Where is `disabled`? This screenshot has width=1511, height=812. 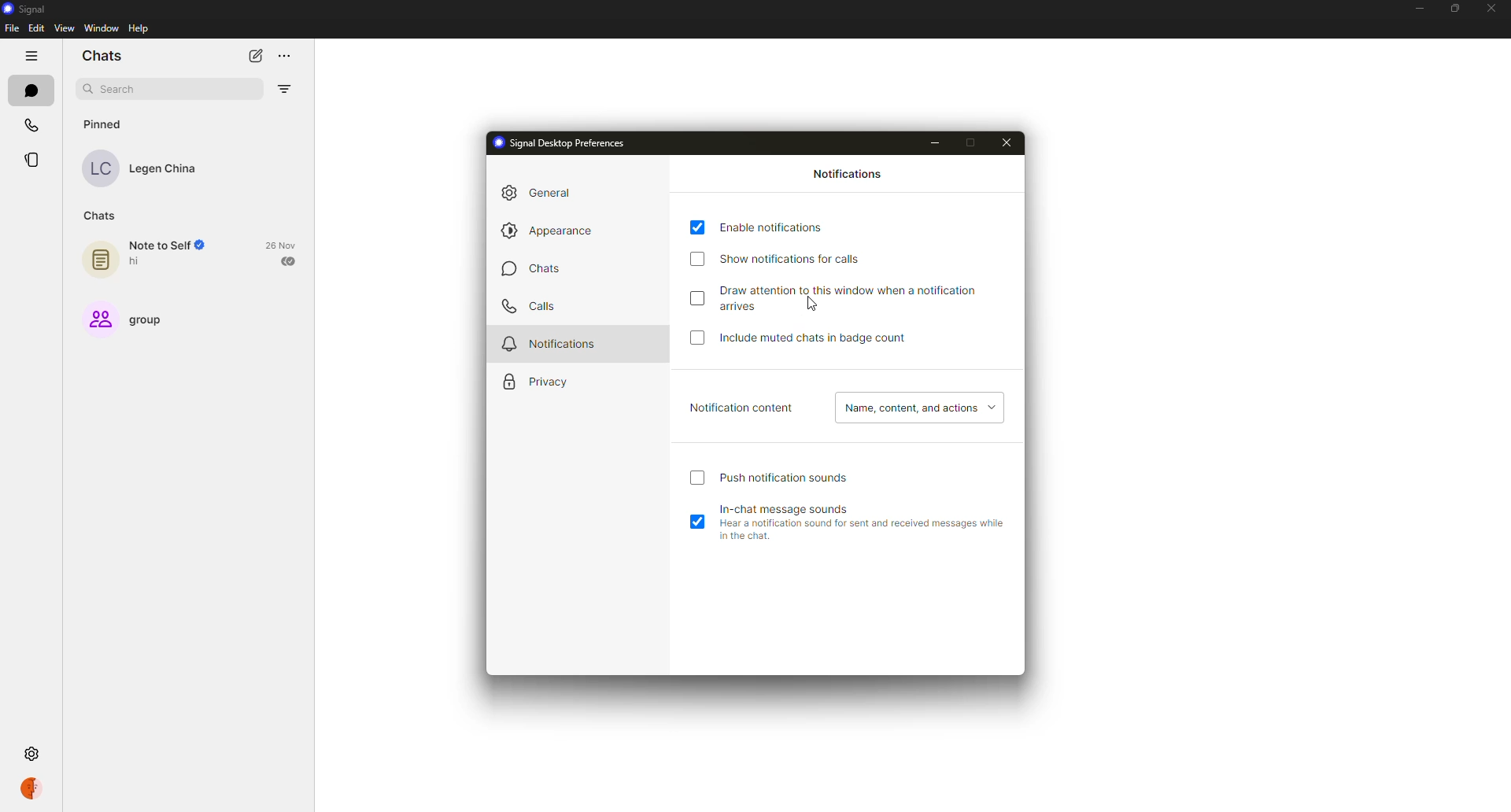 disabled is located at coordinates (700, 257).